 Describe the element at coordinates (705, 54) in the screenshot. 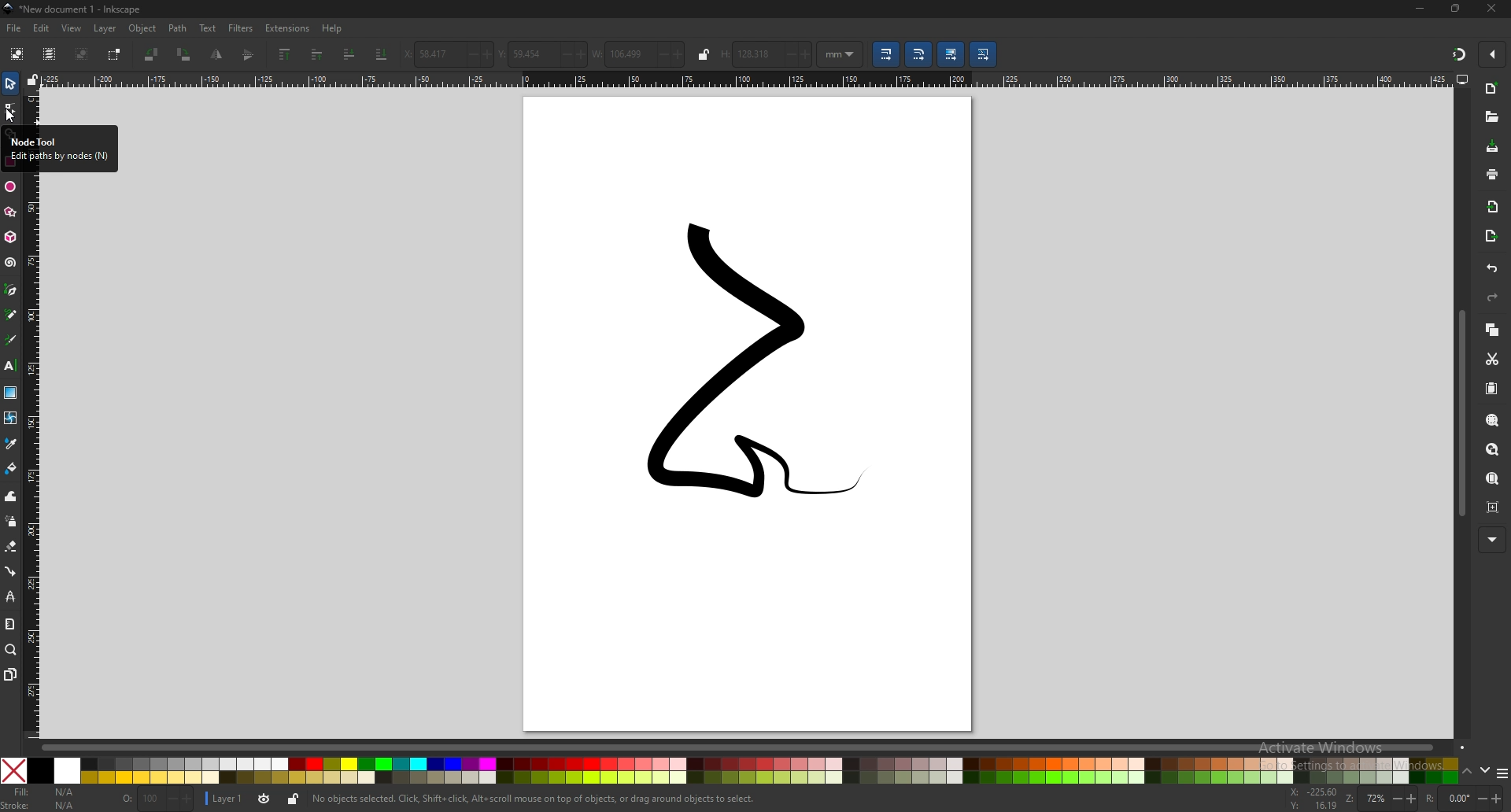

I see `lock` at that location.